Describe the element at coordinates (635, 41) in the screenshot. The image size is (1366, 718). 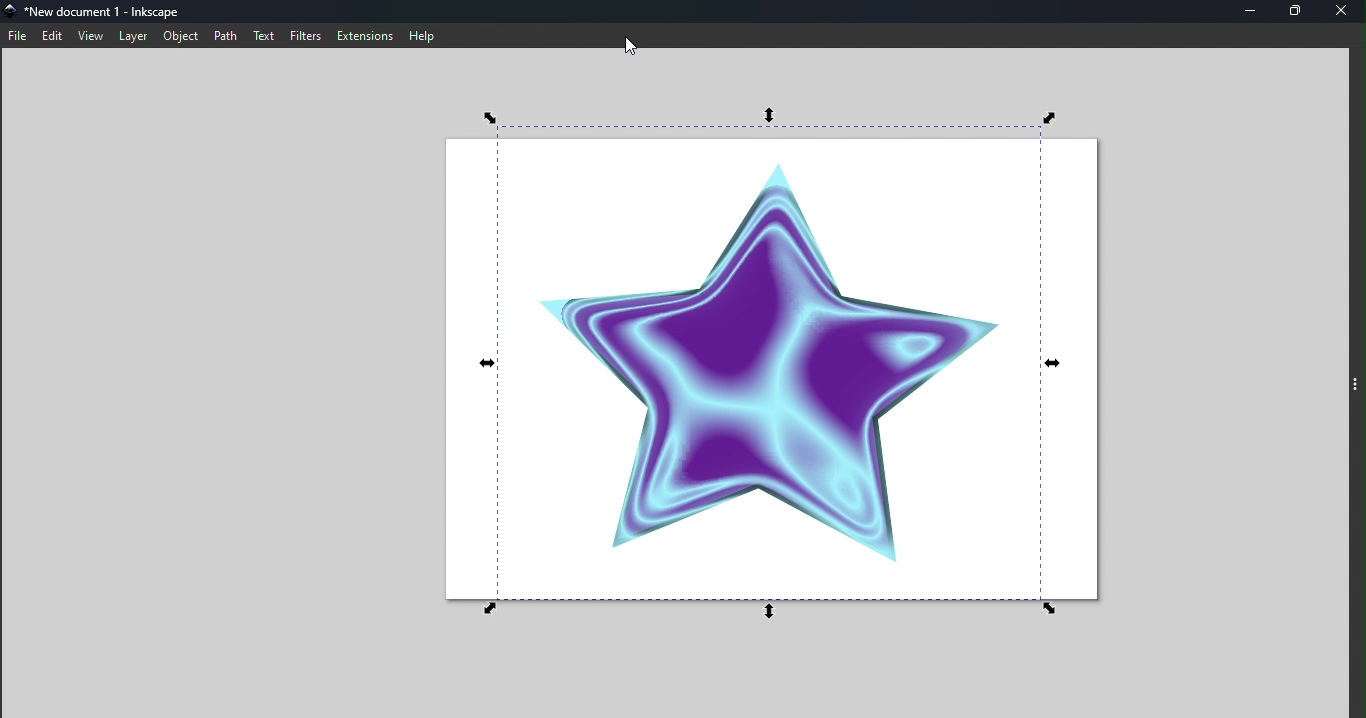
I see `Cursor` at that location.